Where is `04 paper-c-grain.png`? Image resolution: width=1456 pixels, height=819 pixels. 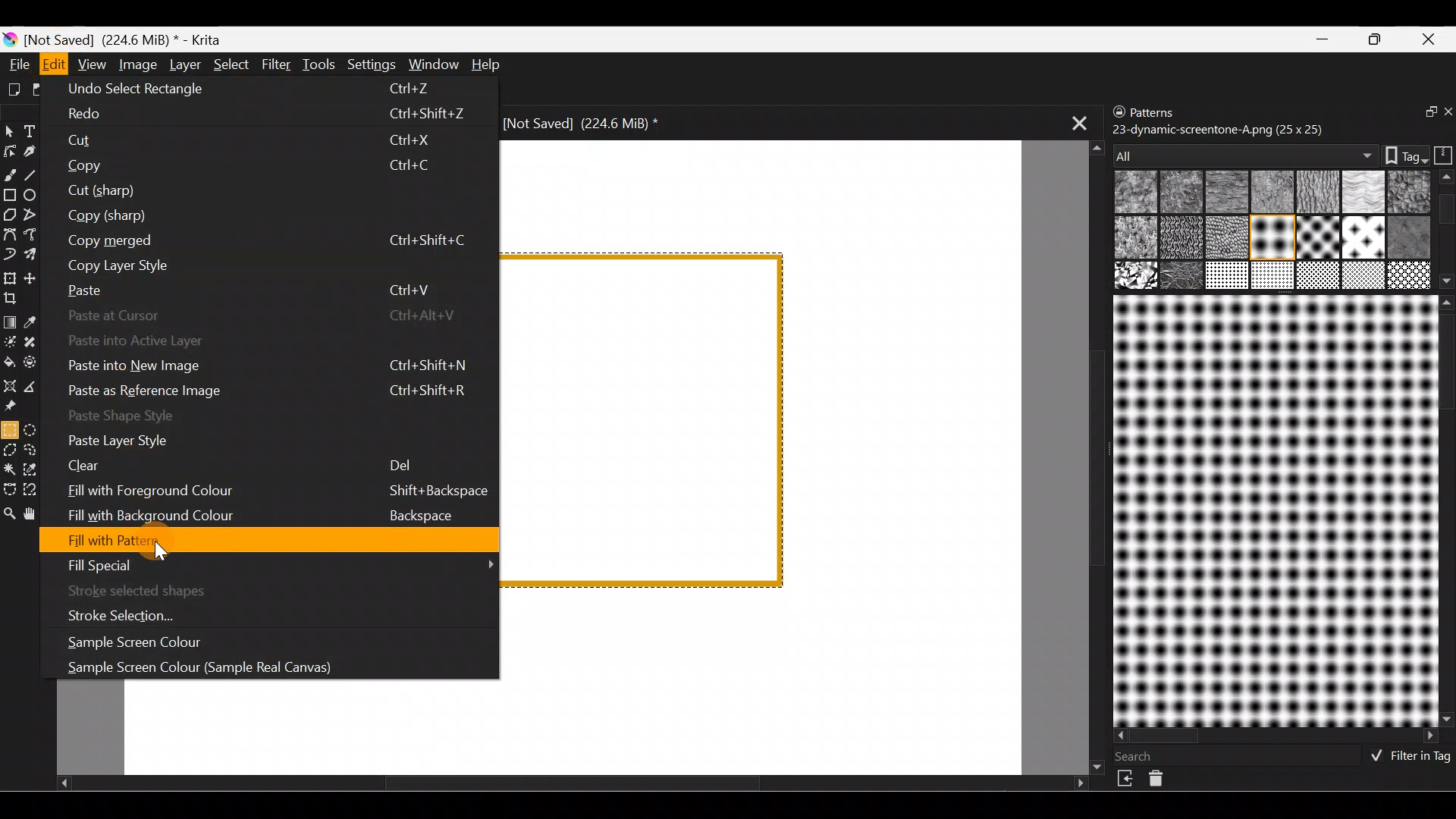
04 paper-c-grain.png is located at coordinates (1319, 193).